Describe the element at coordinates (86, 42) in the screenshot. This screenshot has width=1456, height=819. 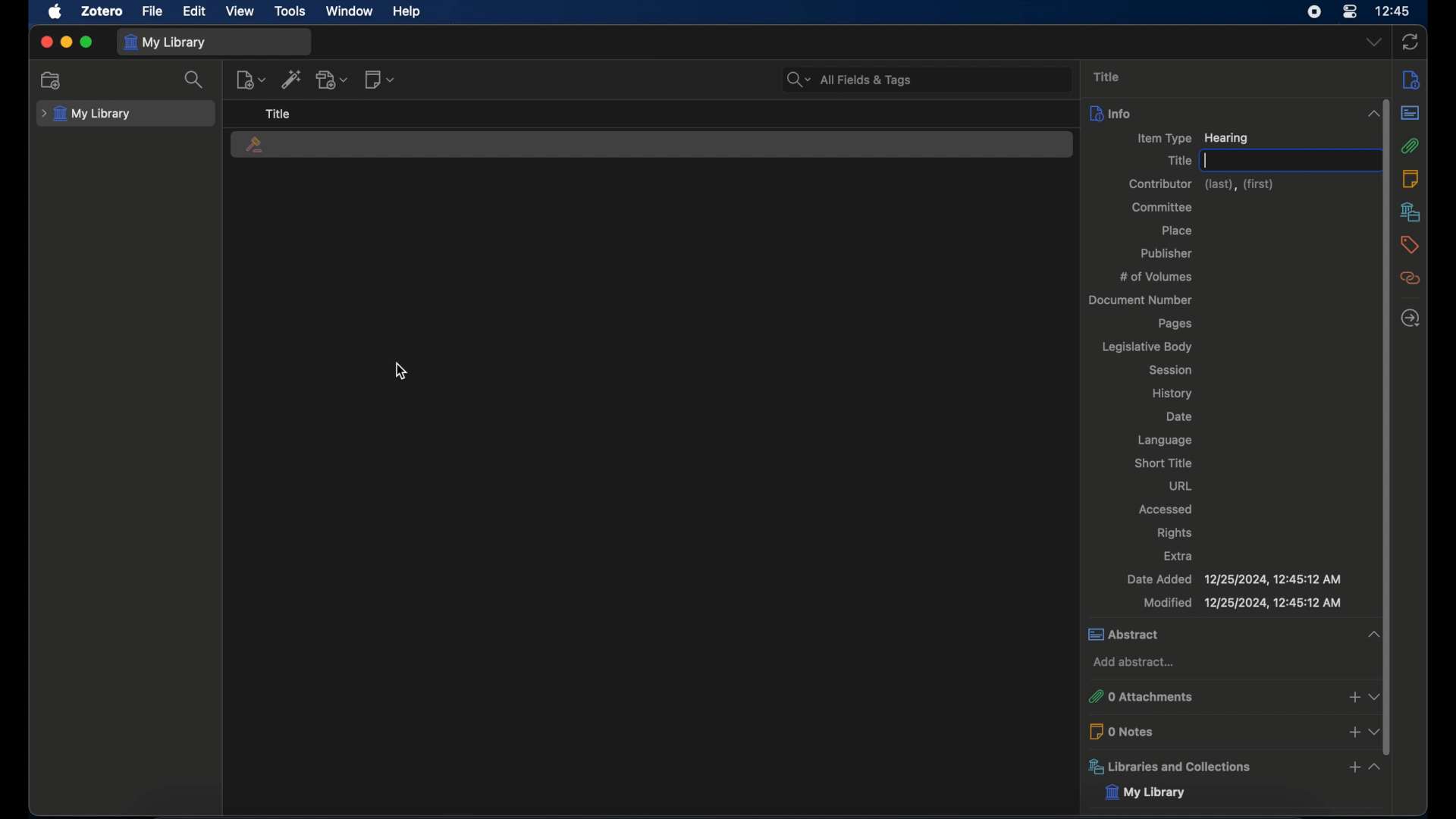
I see `maximize` at that location.